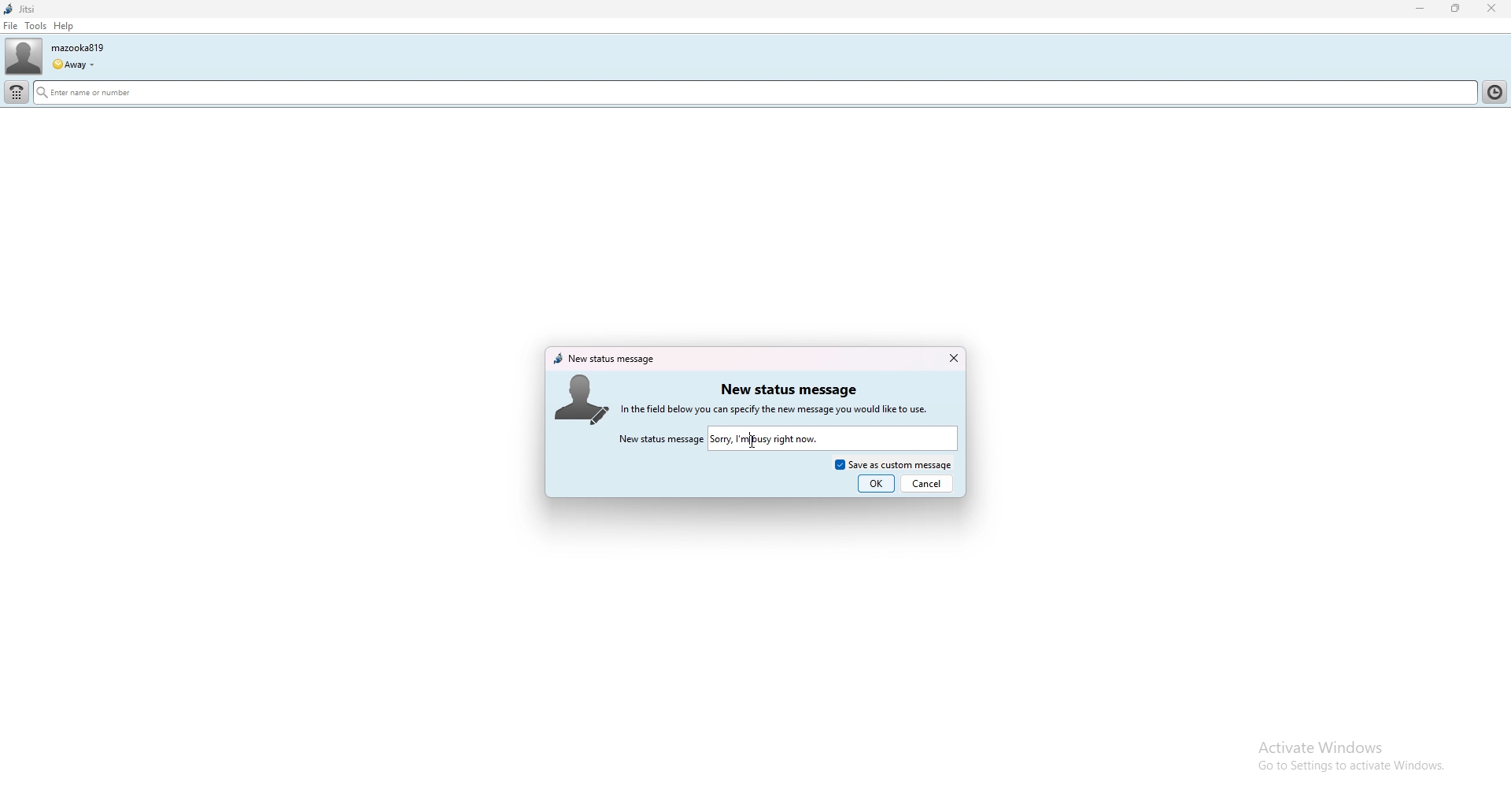  I want to click on input box, so click(833, 438).